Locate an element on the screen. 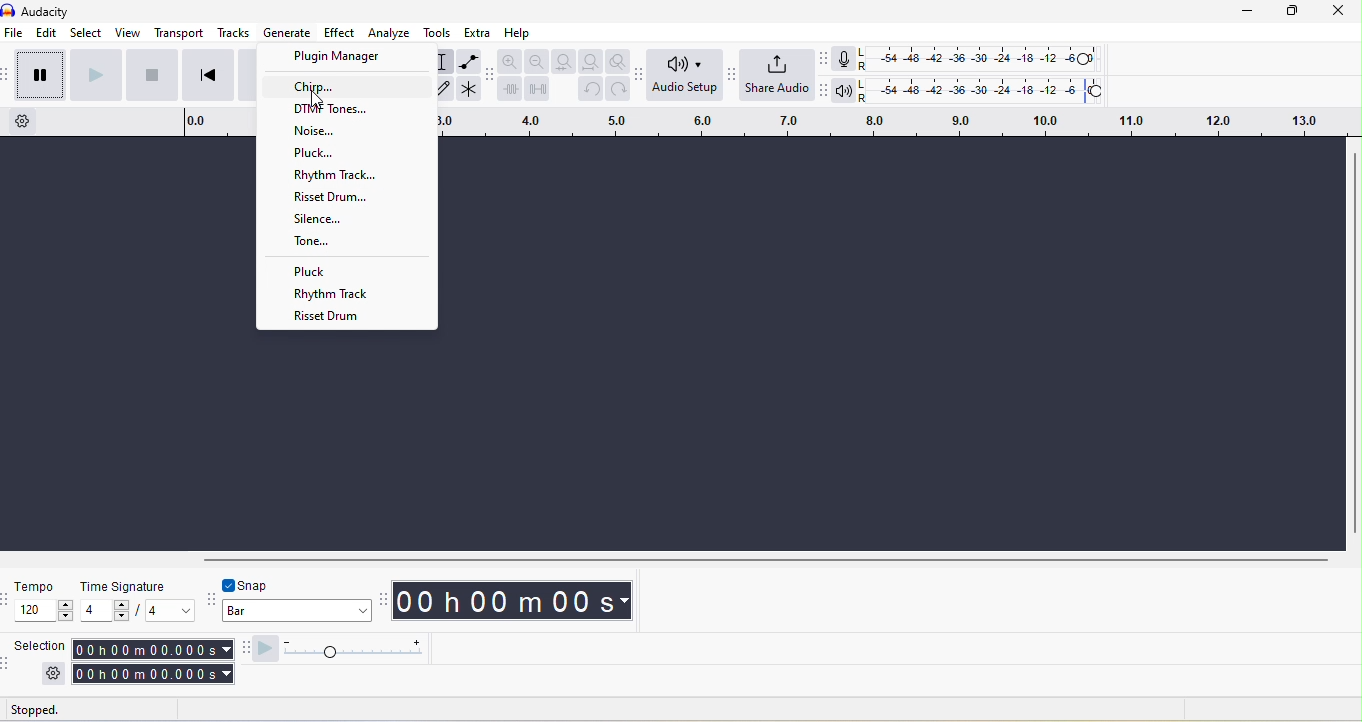 The width and height of the screenshot is (1362, 722). horizontal scroll bar is located at coordinates (765, 558).